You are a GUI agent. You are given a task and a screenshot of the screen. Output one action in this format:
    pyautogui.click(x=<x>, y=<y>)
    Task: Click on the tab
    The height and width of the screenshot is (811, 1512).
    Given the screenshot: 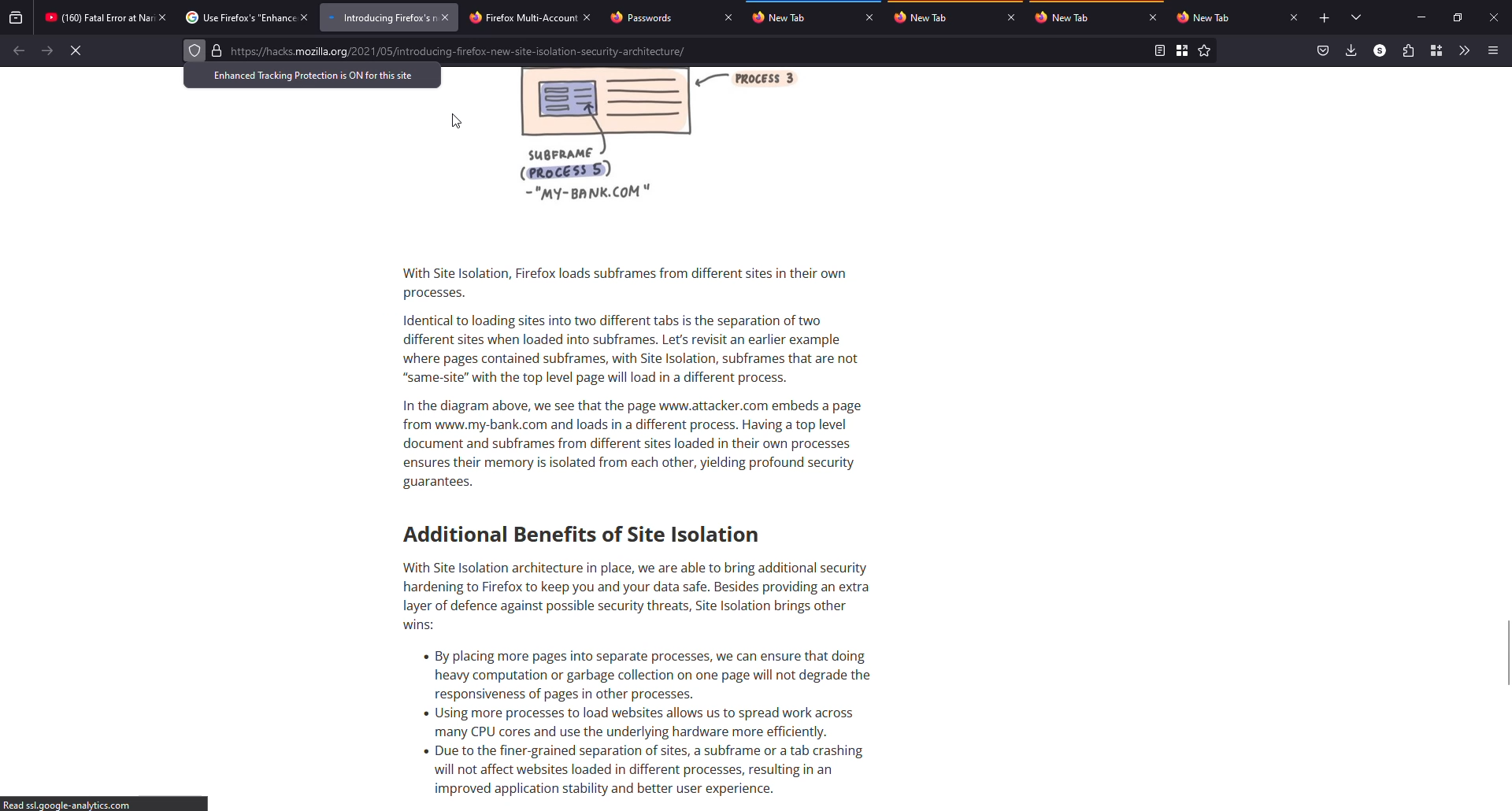 What is the action you would take?
    pyautogui.click(x=521, y=18)
    